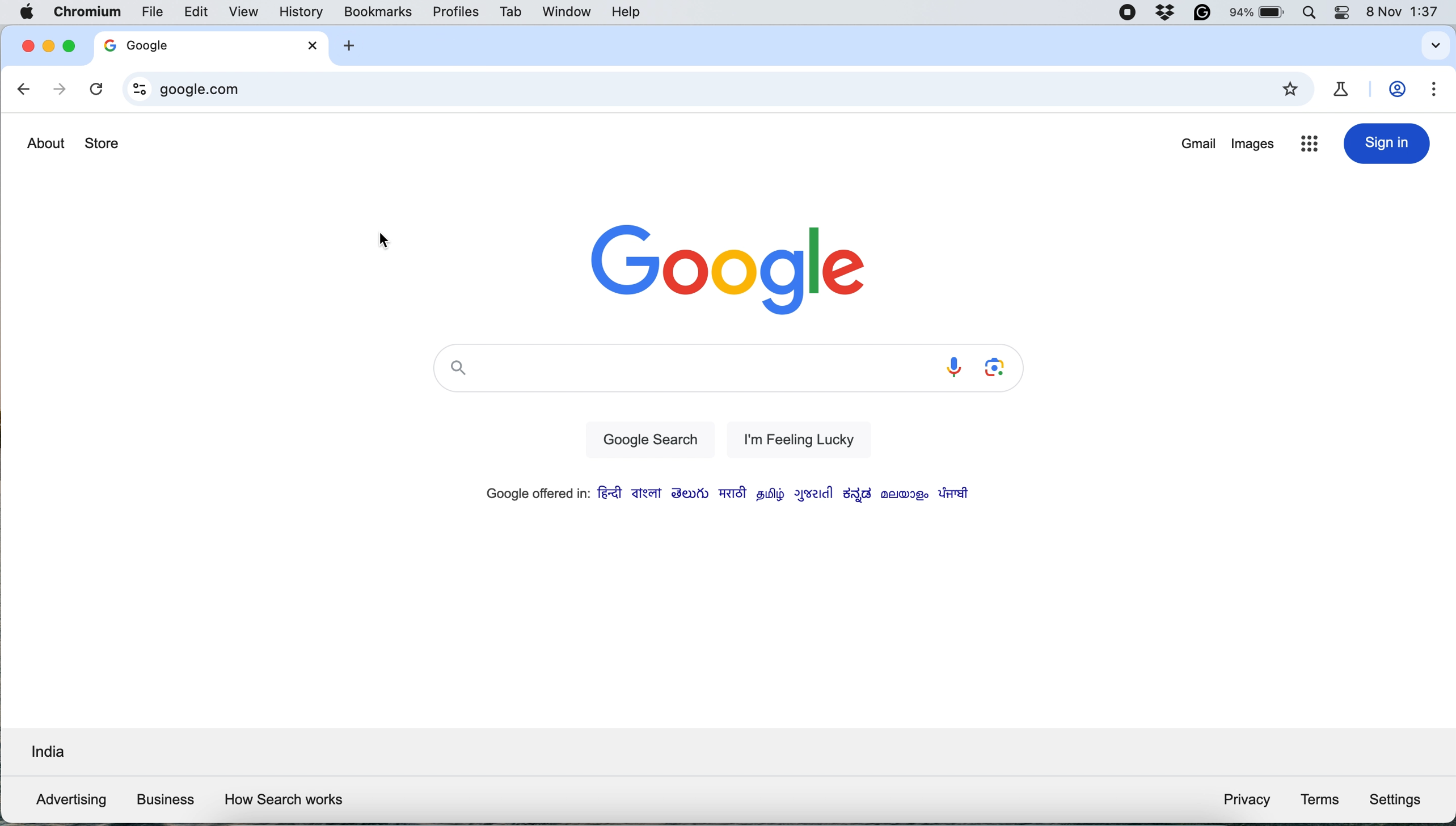 Image resolution: width=1456 pixels, height=826 pixels. I want to click on google search, so click(647, 441).